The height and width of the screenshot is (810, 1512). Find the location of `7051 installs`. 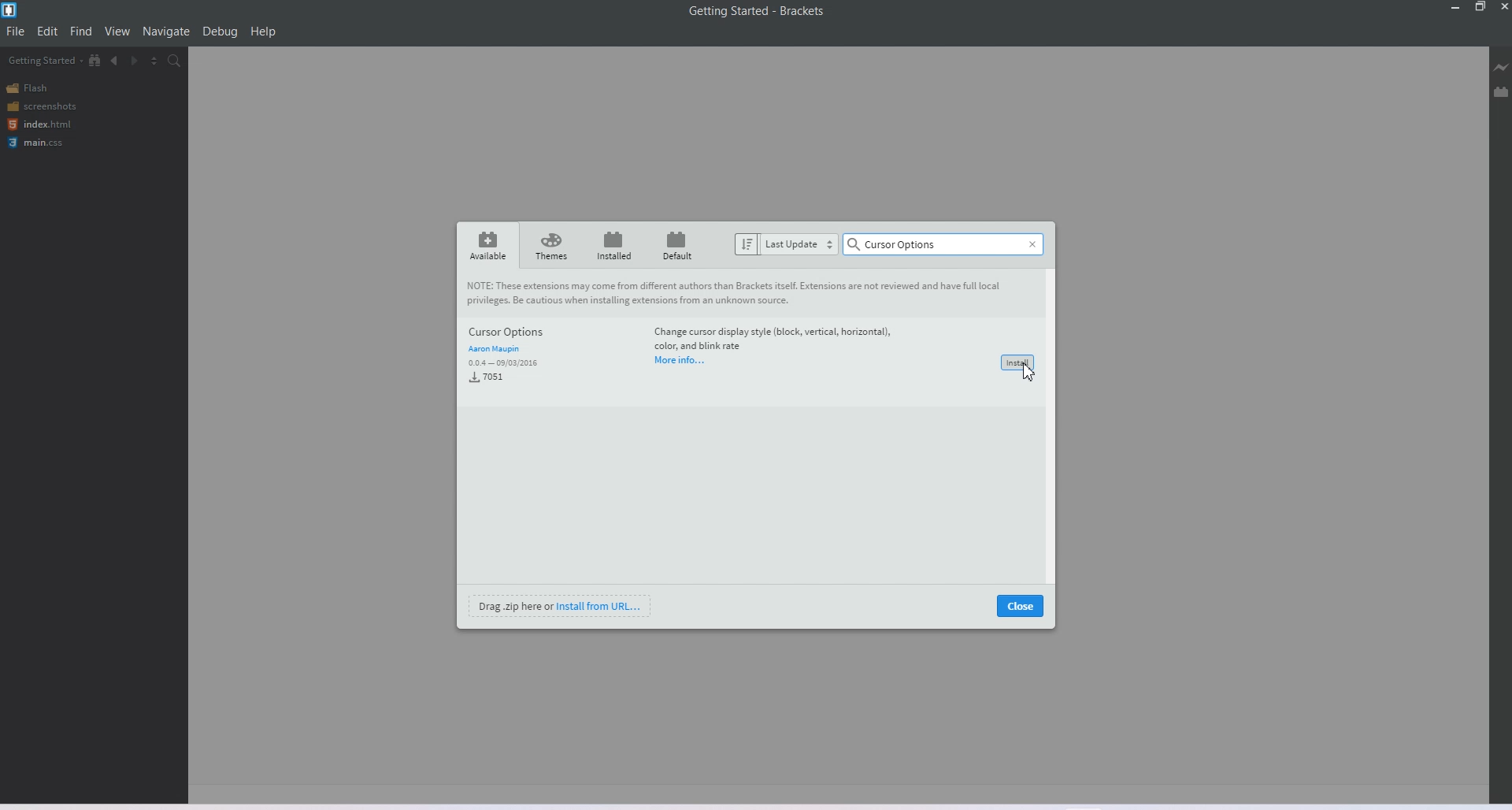

7051 installs is located at coordinates (487, 380).